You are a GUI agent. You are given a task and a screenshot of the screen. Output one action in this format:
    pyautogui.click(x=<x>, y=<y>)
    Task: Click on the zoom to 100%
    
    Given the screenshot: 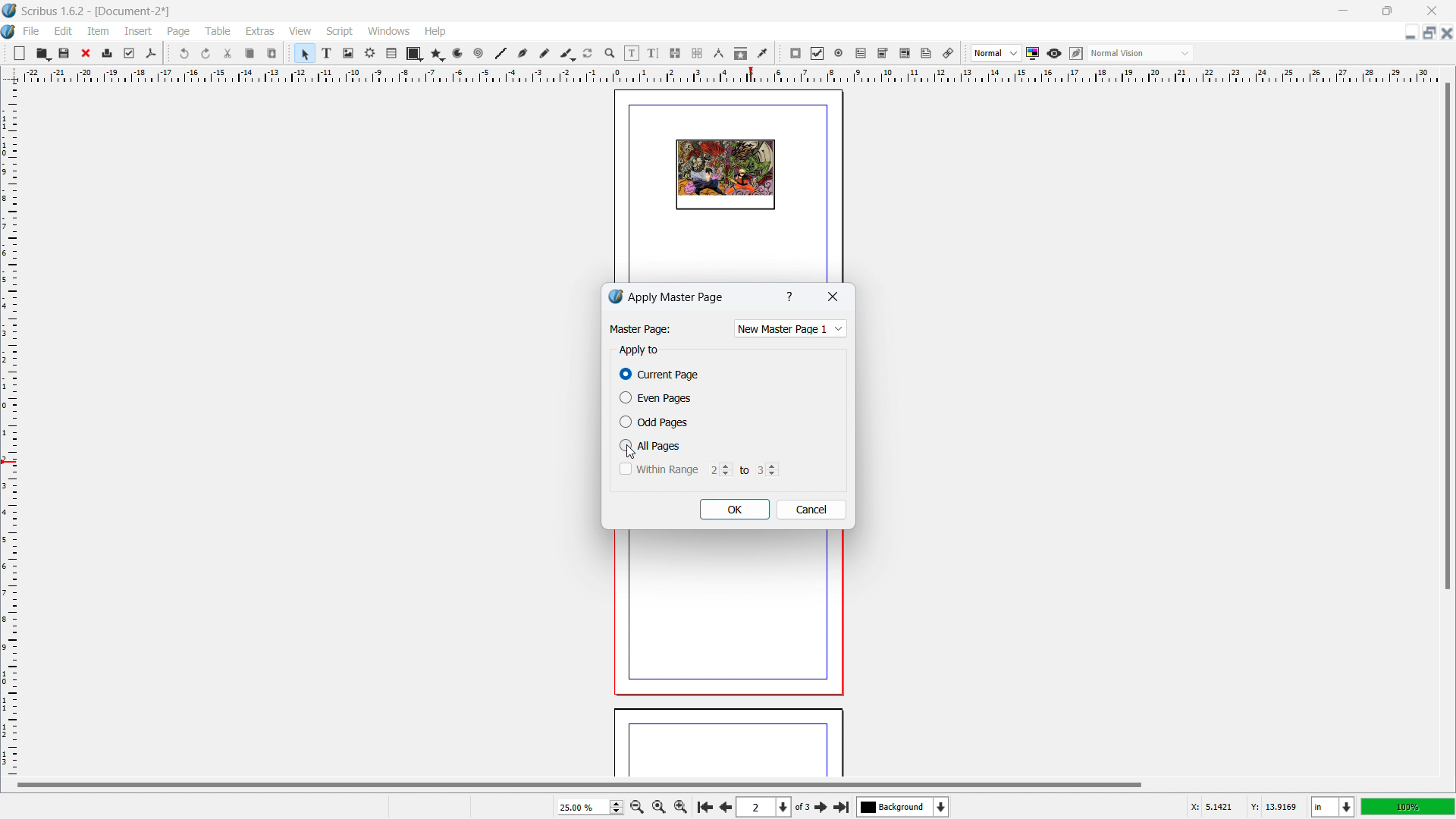 What is the action you would take?
    pyautogui.click(x=658, y=805)
    